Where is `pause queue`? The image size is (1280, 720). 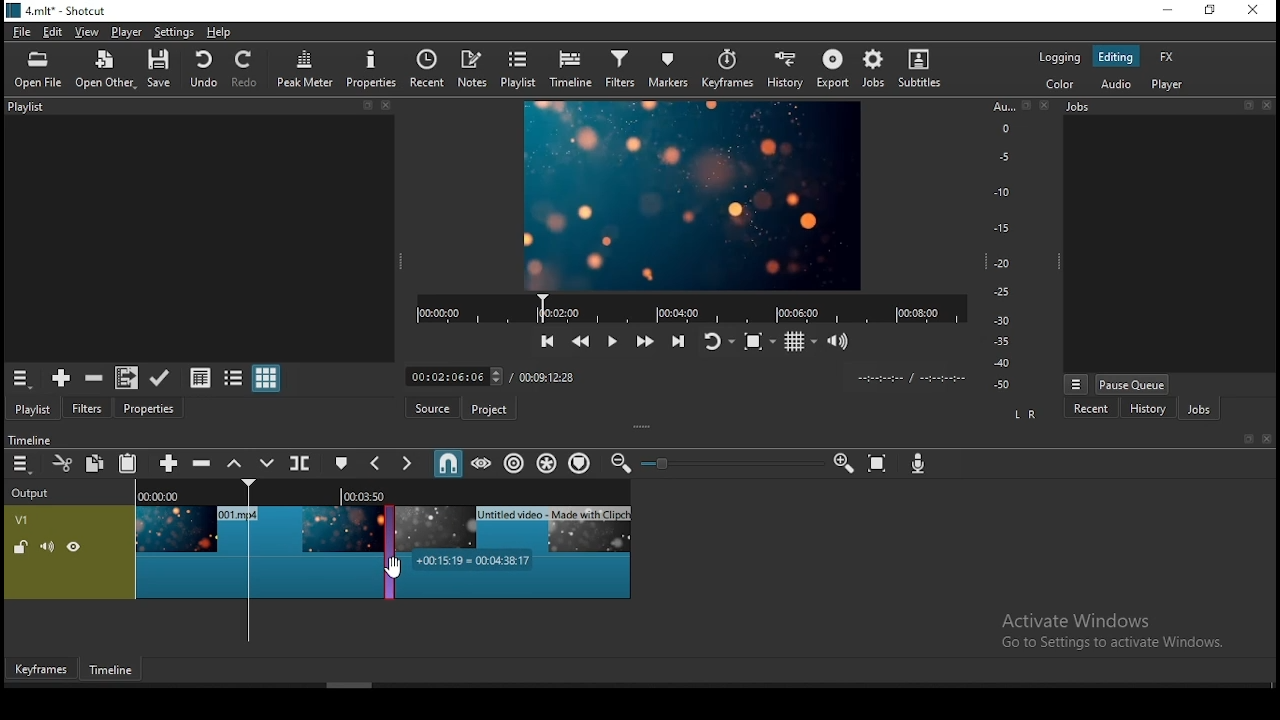 pause queue is located at coordinates (1132, 385).